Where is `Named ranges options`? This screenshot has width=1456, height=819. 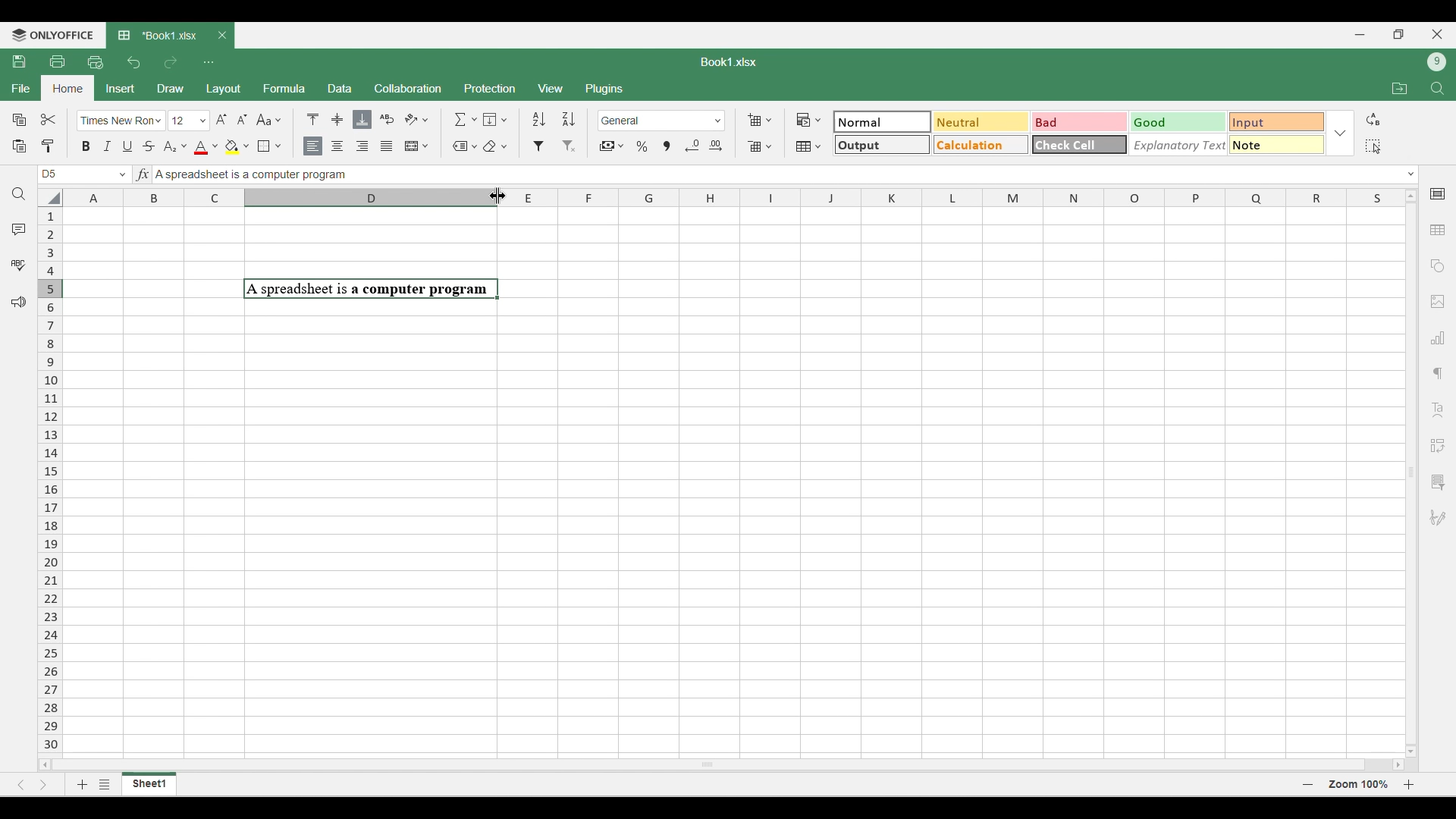 Named ranges options is located at coordinates (465, 147).